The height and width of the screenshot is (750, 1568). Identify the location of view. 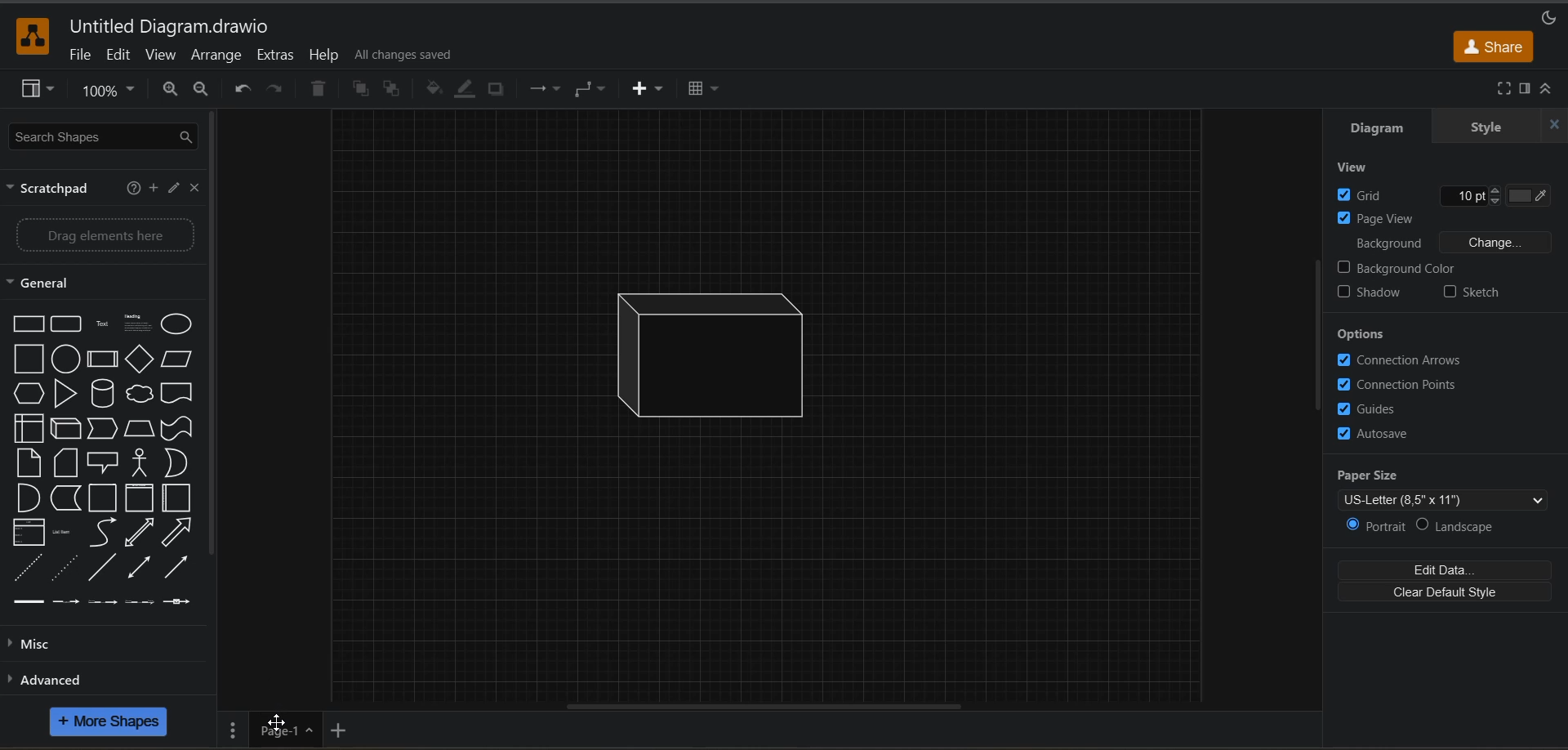
(38, 92).